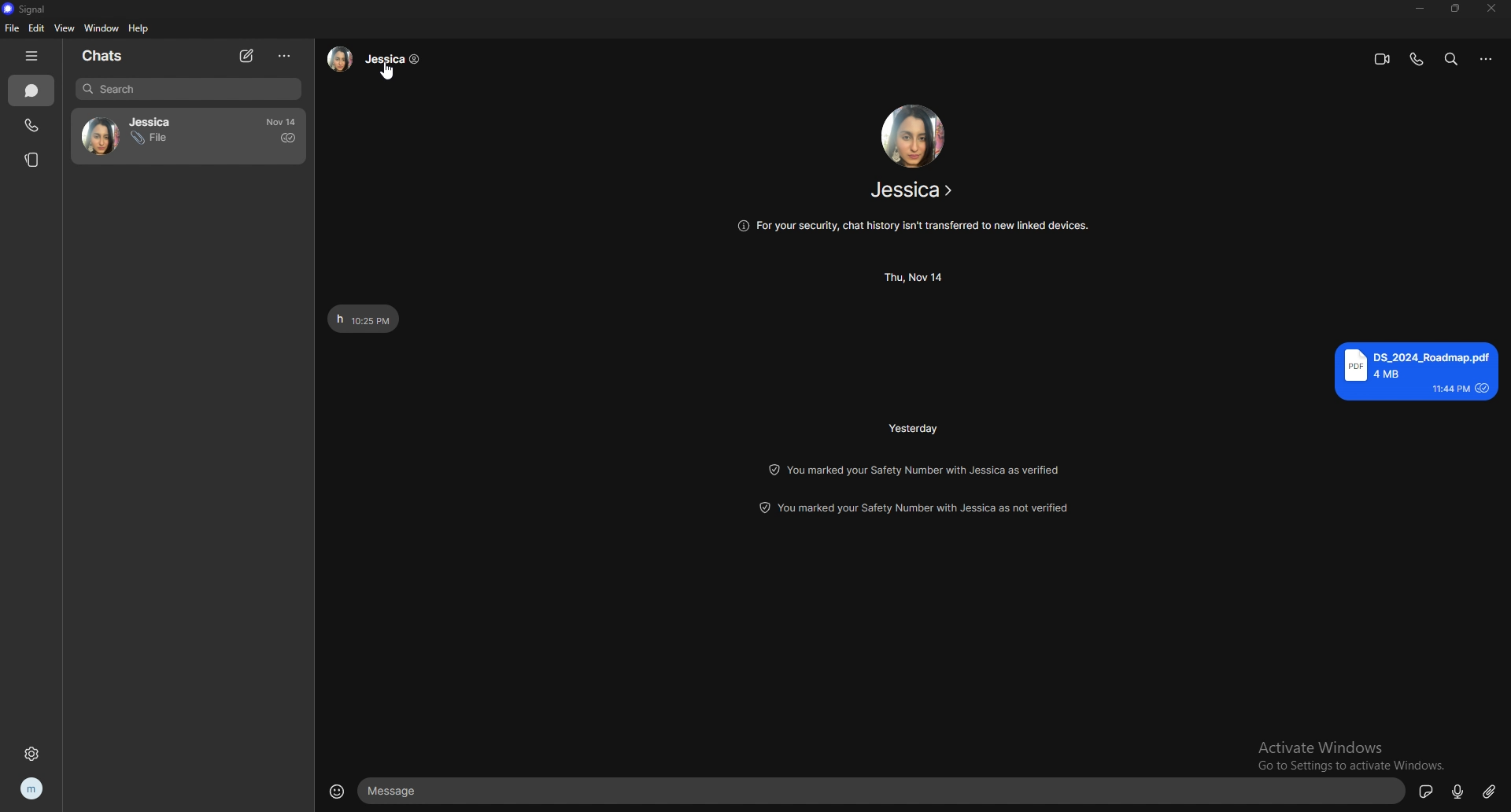 This screenshot has width=1511, height=812. I want to click on emojis, so click(338, 792).